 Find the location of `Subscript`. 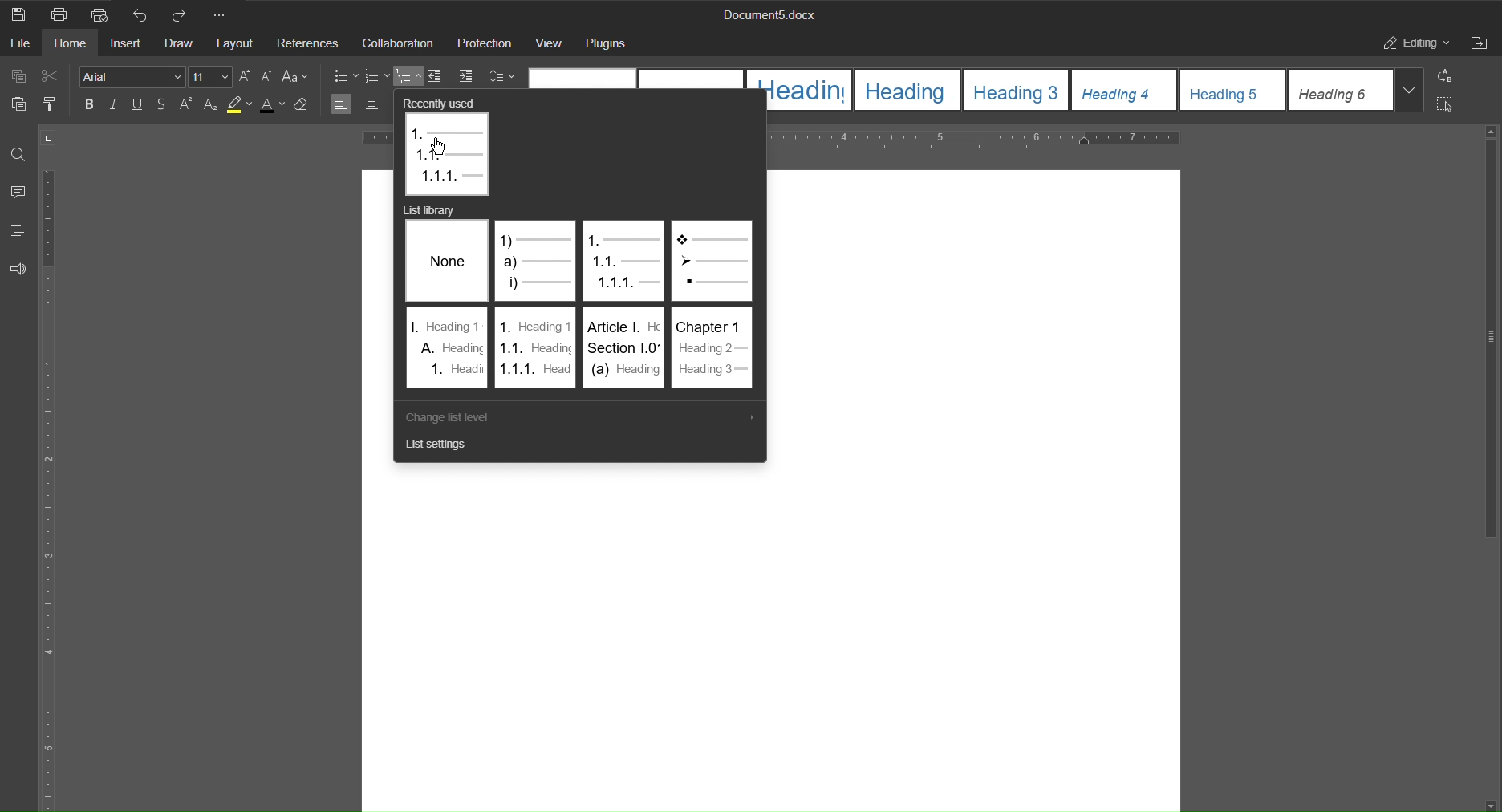

Subscript is located at coordinates (213, 104).